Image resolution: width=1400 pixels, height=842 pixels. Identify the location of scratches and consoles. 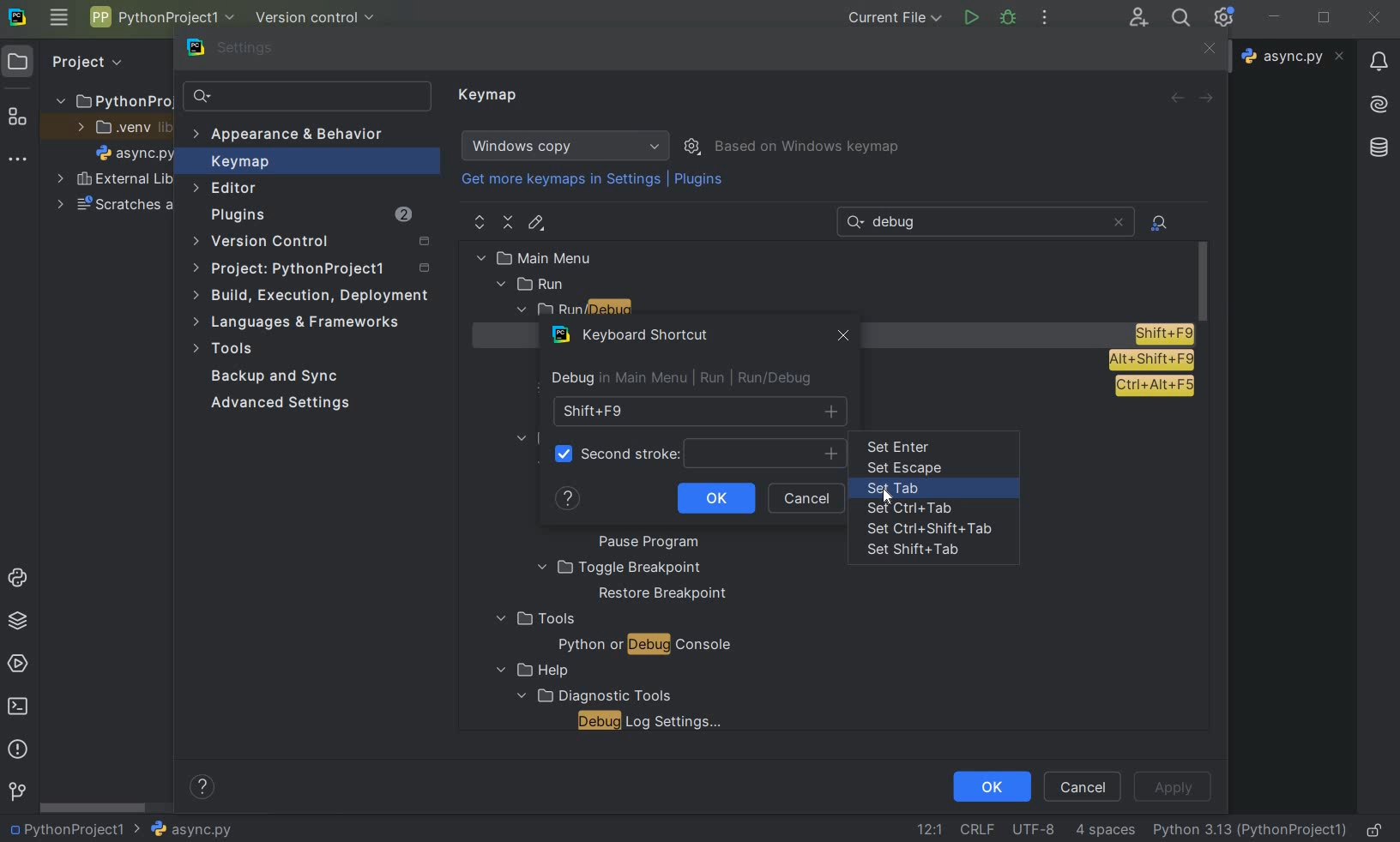
(116, 207).